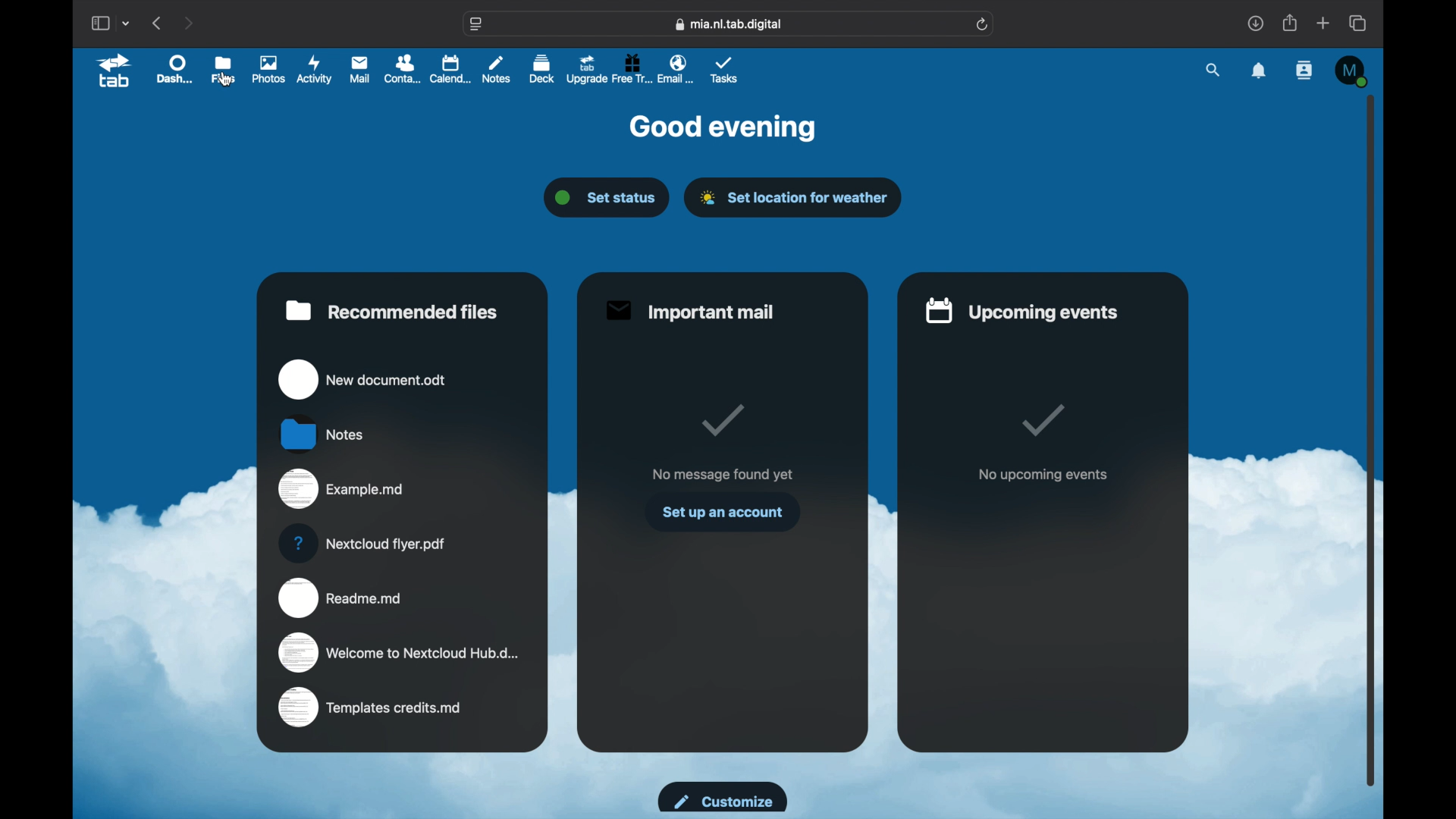 This screenshot has width=1456, height=819. Describe the element at coordinates (983, 24) in the screenshot. I see `refresh` at that location.